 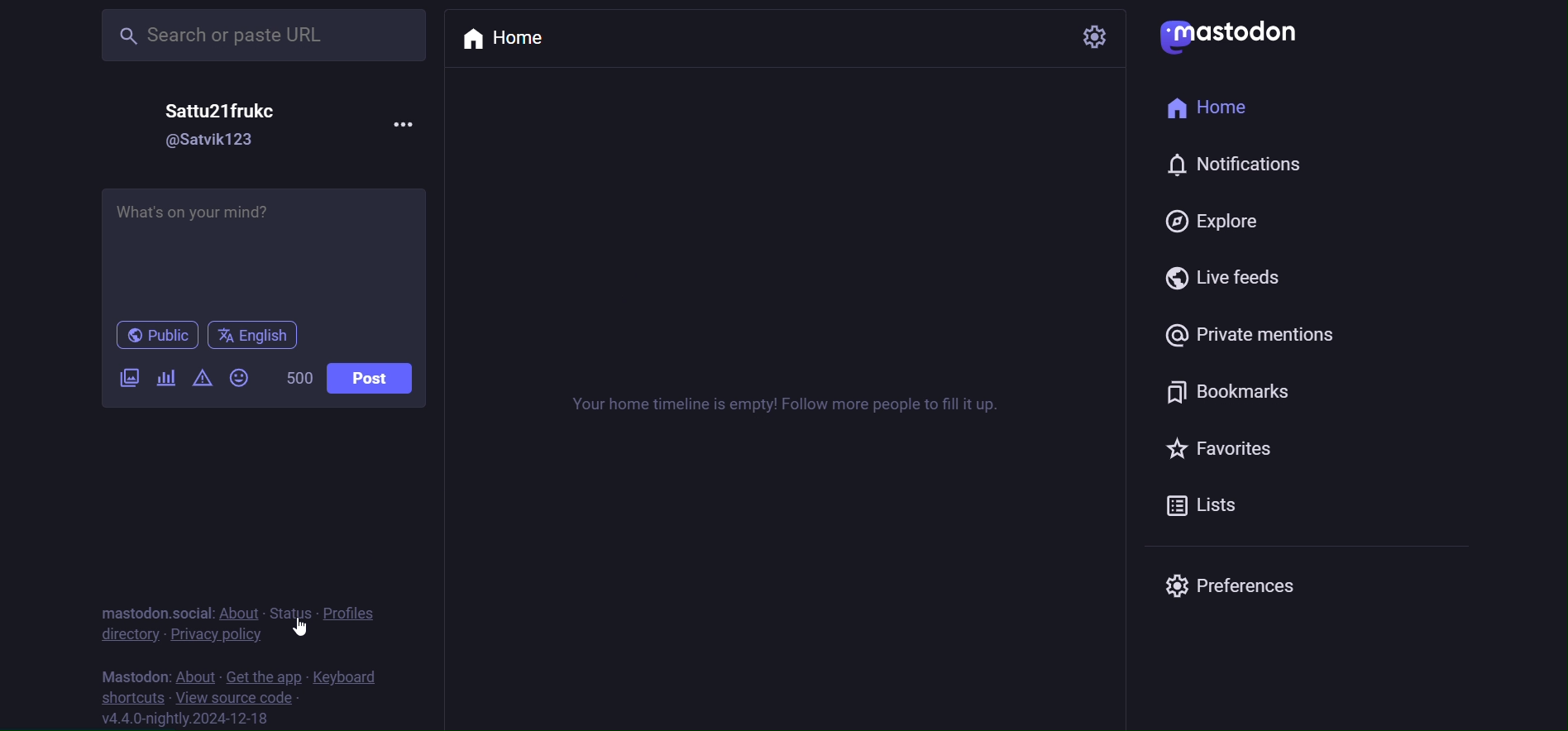 What do you see at coordinates (233, 111) in the screenshot?
I see `Username` at bounding box center [233, 111].